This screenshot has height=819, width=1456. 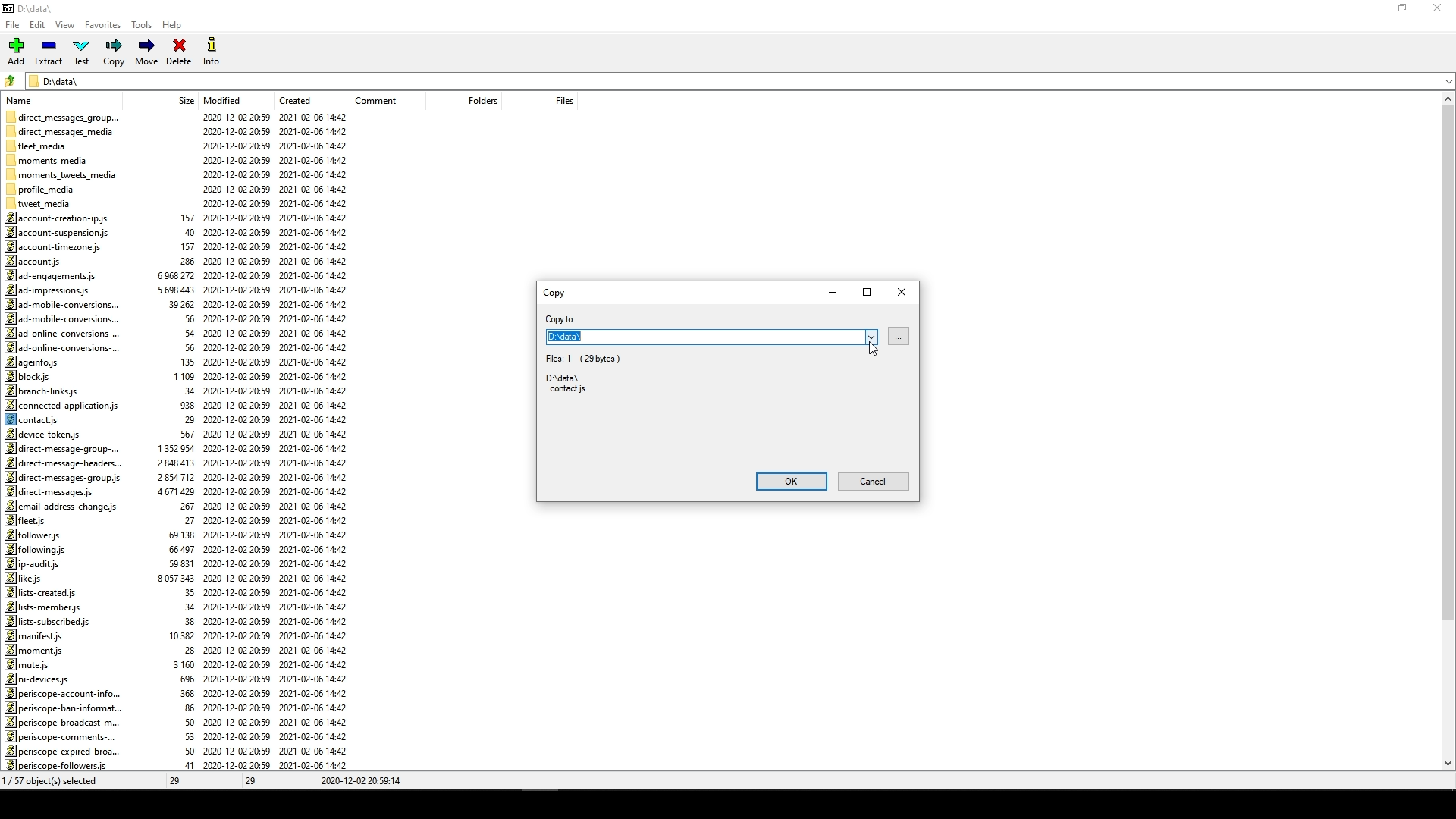 What do you see at coordinates (178, 54) in the screenshot?
I see `Delete` at bounding box center [178, 54].